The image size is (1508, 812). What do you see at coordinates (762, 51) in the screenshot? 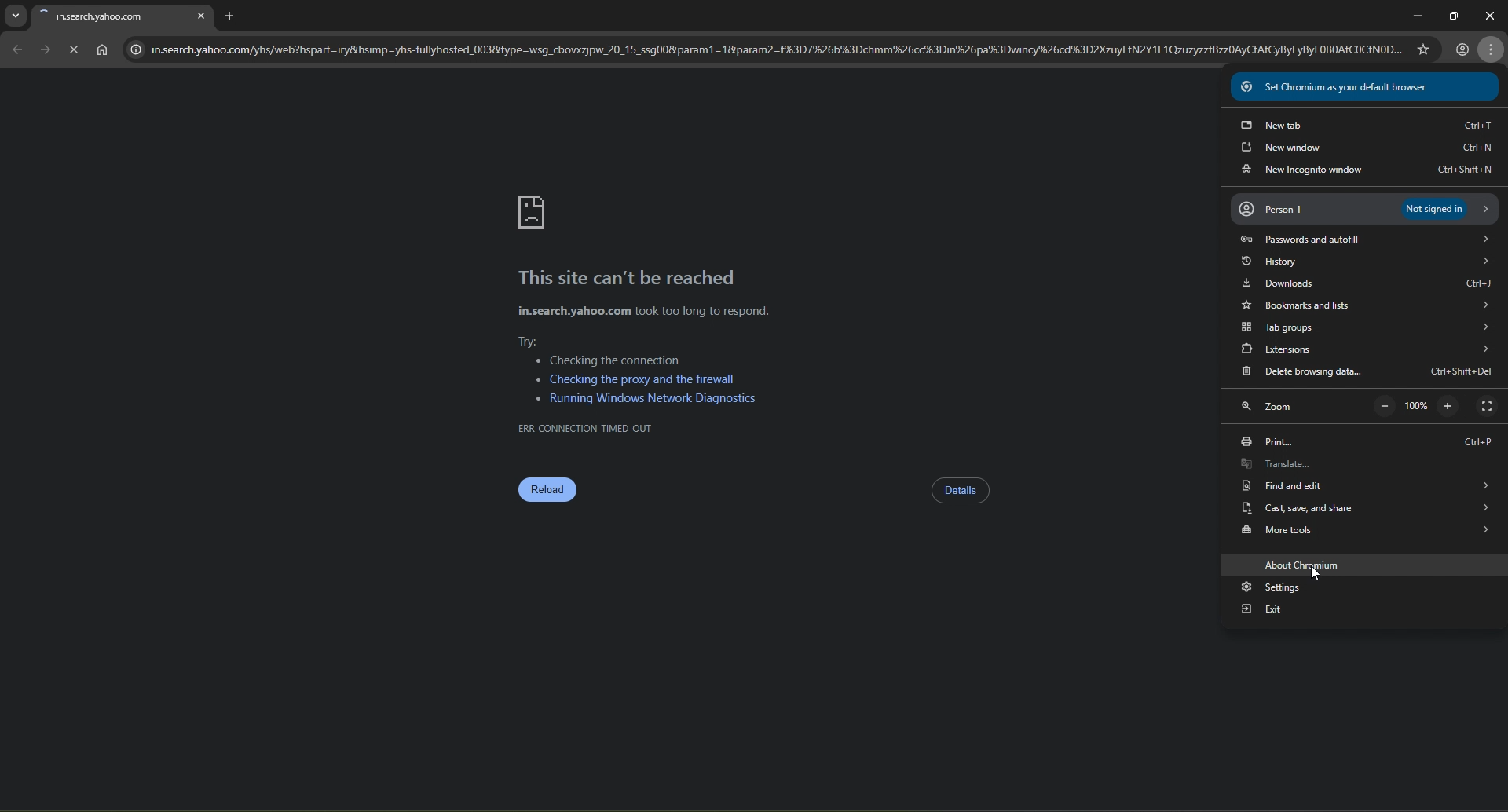
I see `@ insearch.yahoo.com/yhs/web?hspart=iry8thsimp=yhs-fullyhosted_0038&type=wsg_cbovxzjpw_20_15_ssg00&param1=18param2={%3D7%26b%3Dchmm%26cc%3Din%26pa%3Dwincy%26cd%3D2XzuyEtN2Y 1L1QzuzyzztBzz0AyCtAtCyBy EyByEOBOAtCOCtNOD.` at bounding box center [762, 51].